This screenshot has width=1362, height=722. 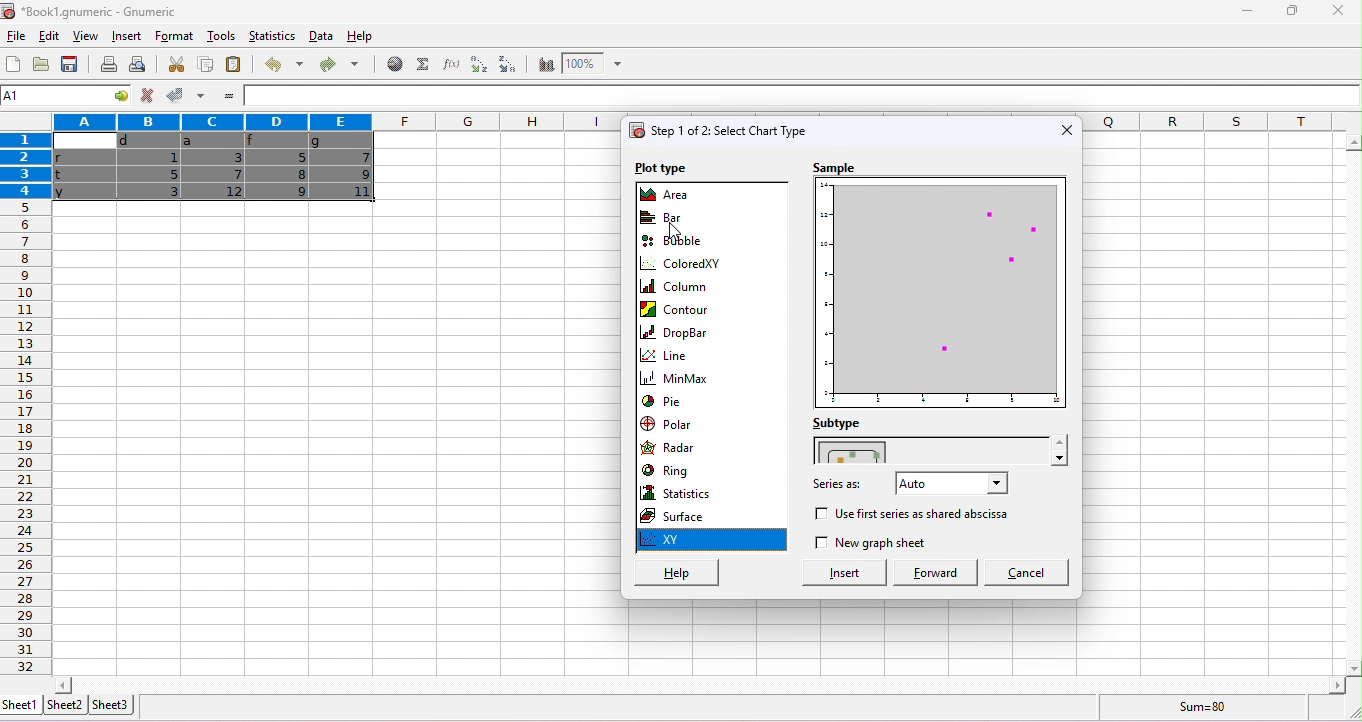 What do you see at coordinates (678, 289) in the screenshot?
I see `column` at bounding box center [678, 289].